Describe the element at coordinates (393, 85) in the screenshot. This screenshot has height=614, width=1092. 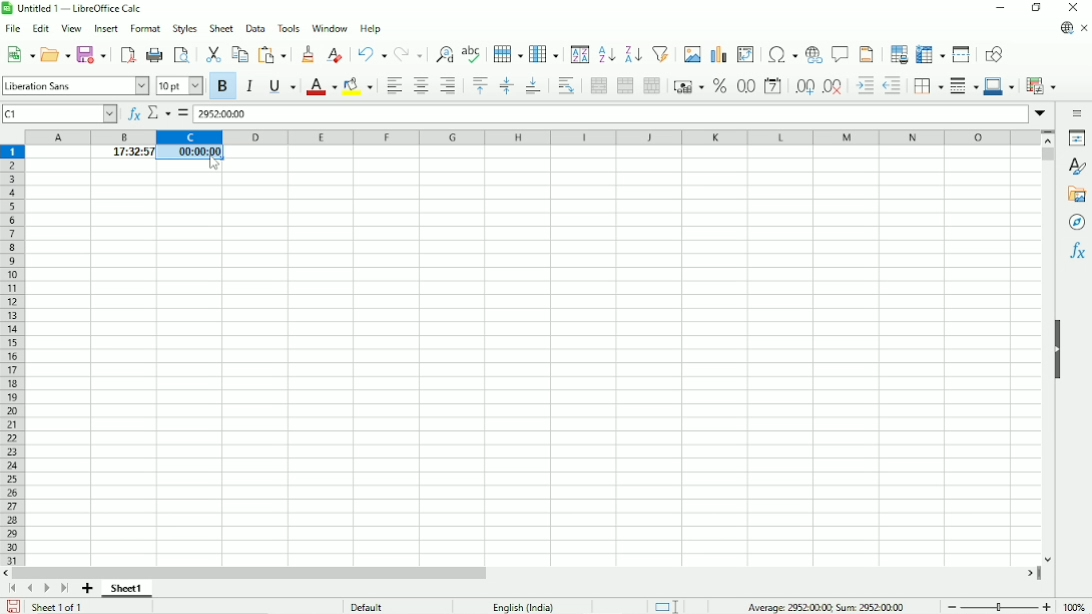
I see `Align left` at that location.